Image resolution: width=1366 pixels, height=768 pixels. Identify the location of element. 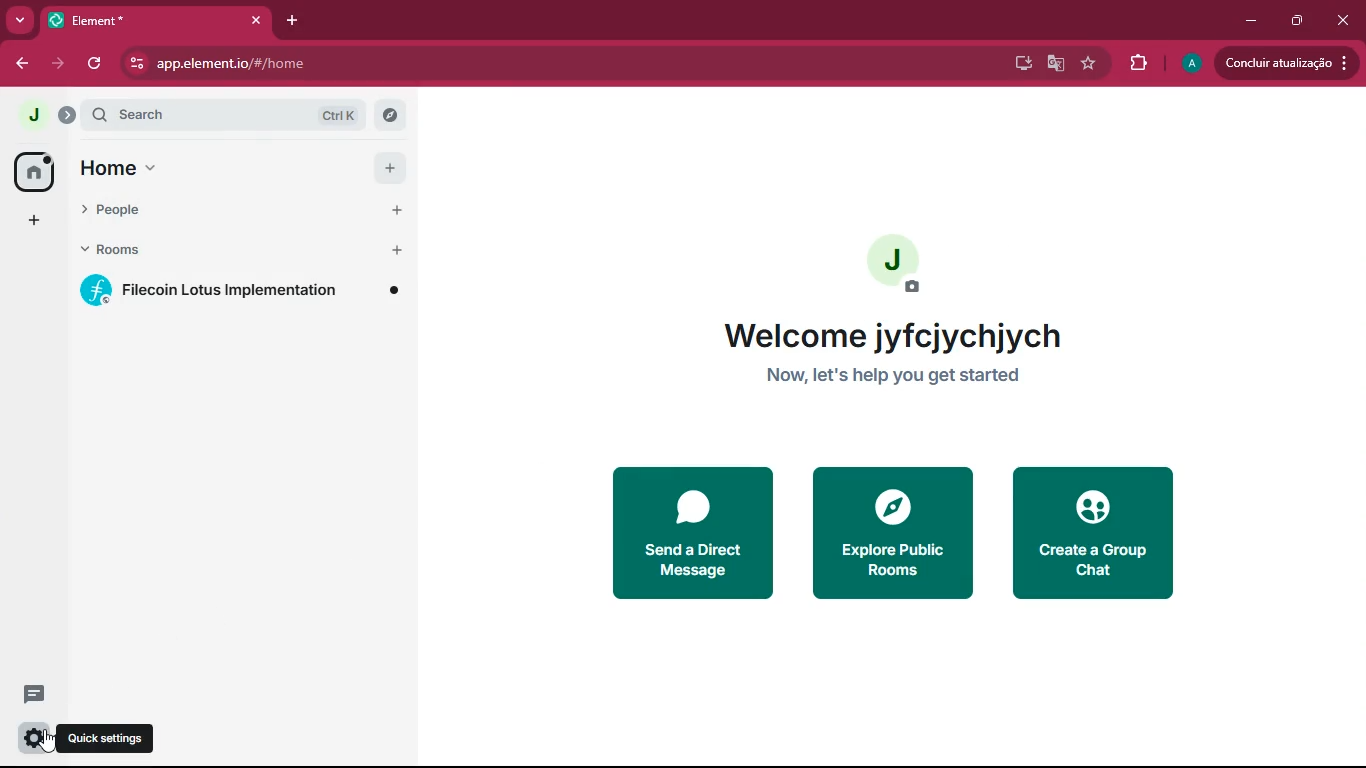
(157, 20).